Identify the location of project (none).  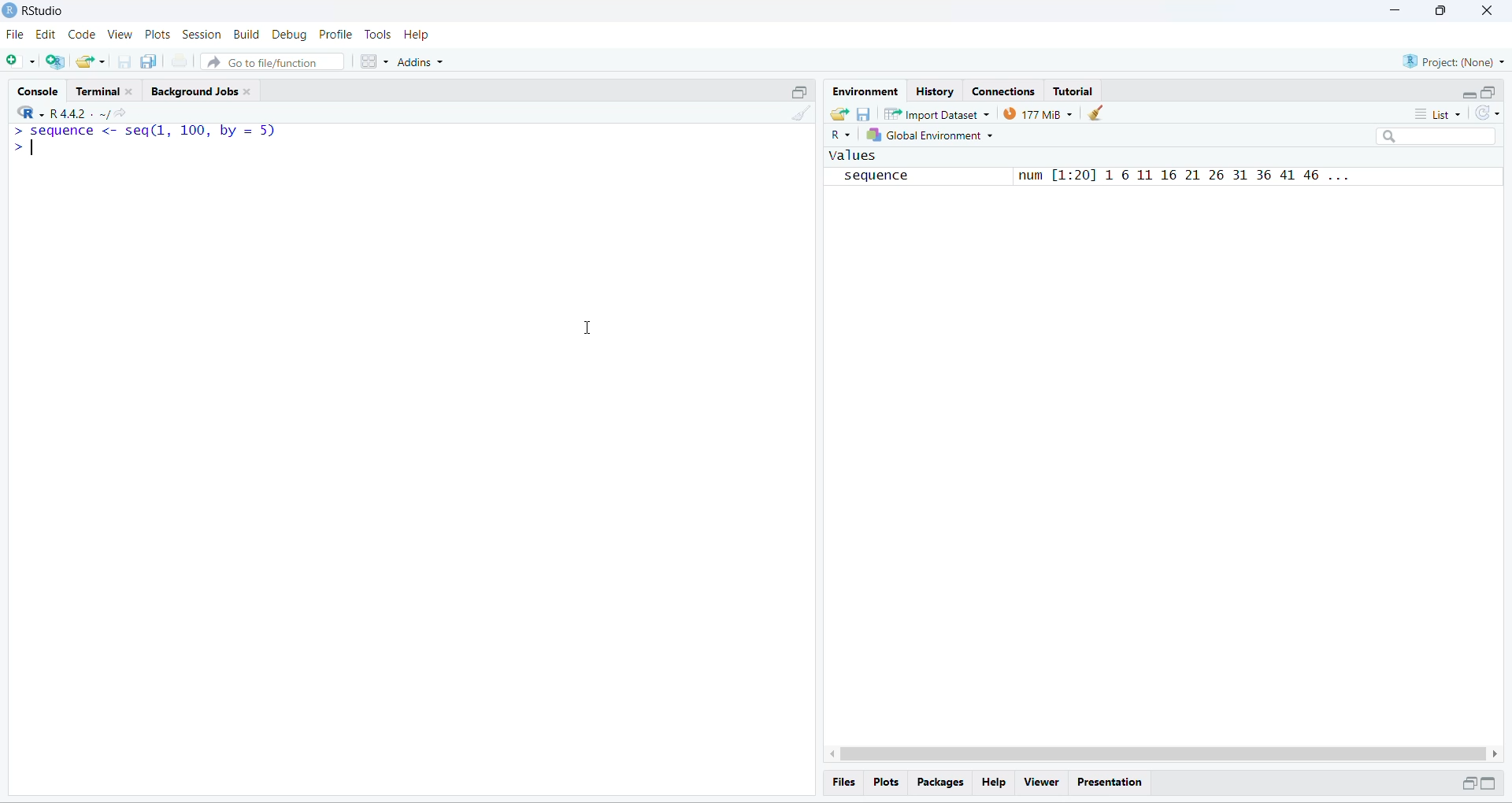
(1453, 61).